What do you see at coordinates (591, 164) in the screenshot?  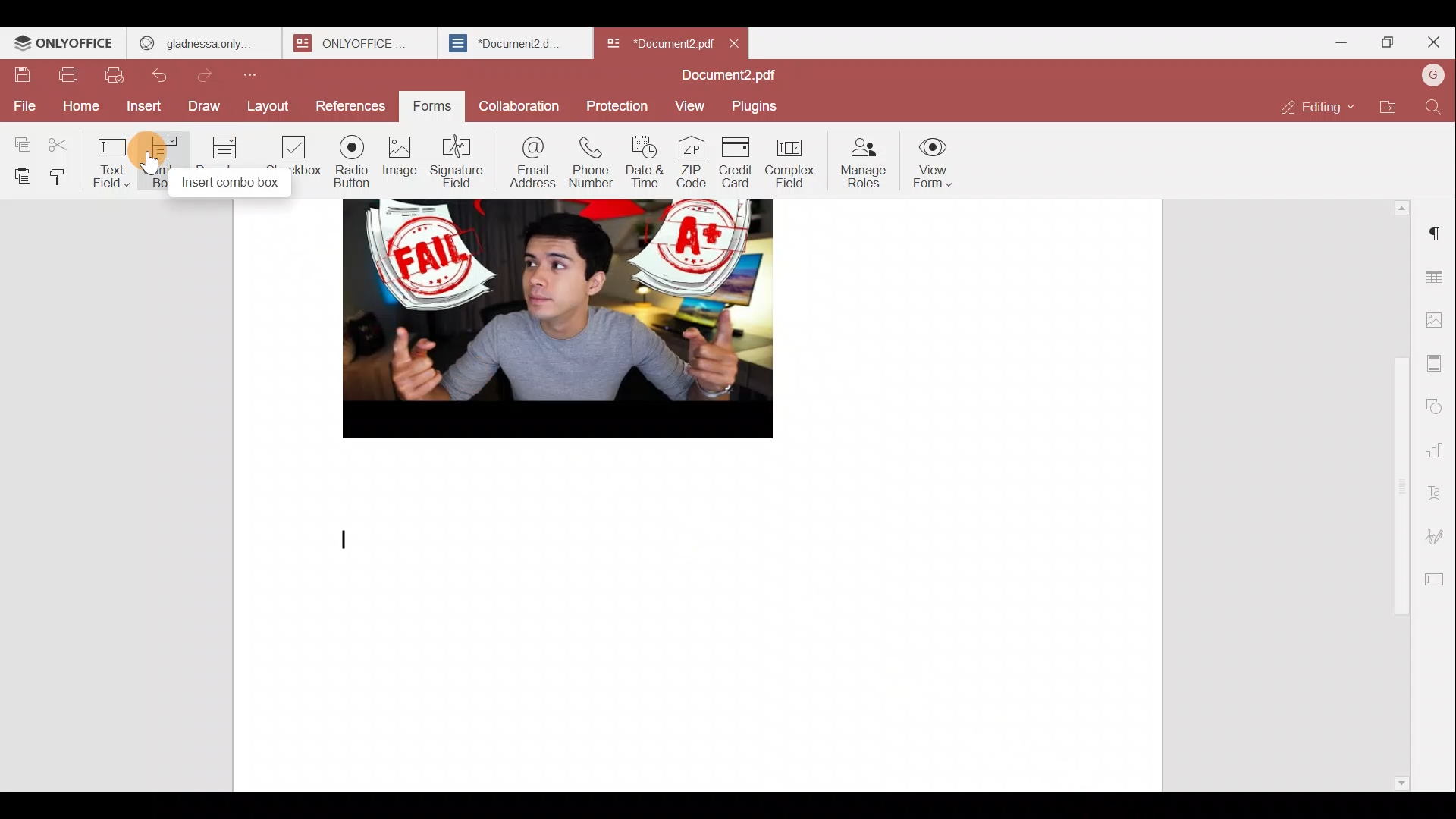 I see `Phone number` at bounding box center [591, 164].